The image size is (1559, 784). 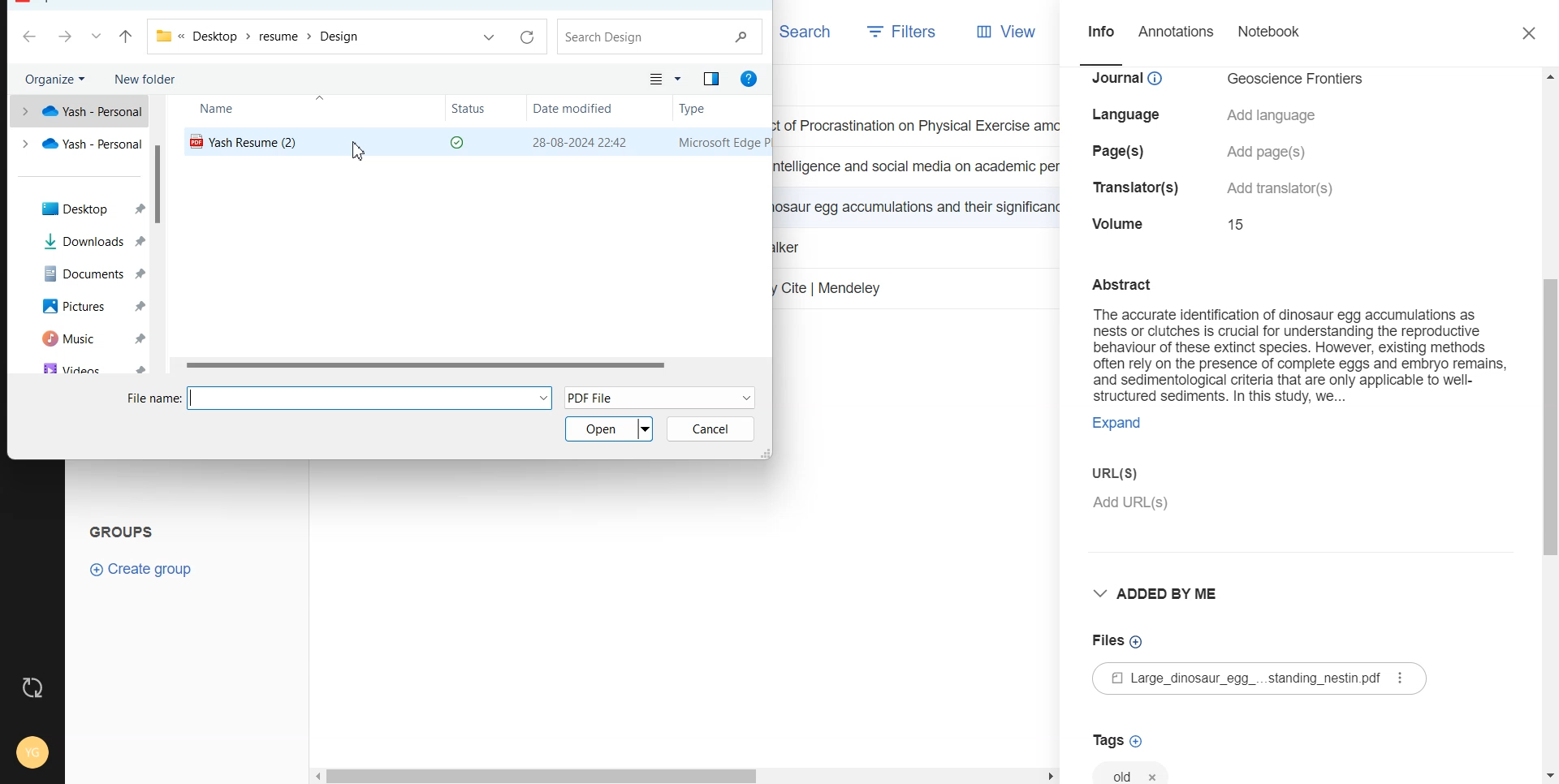 What do you see at coordinates (66, 38) in the screenshot?
I see `Go forward` at bounding box center [66, 38].